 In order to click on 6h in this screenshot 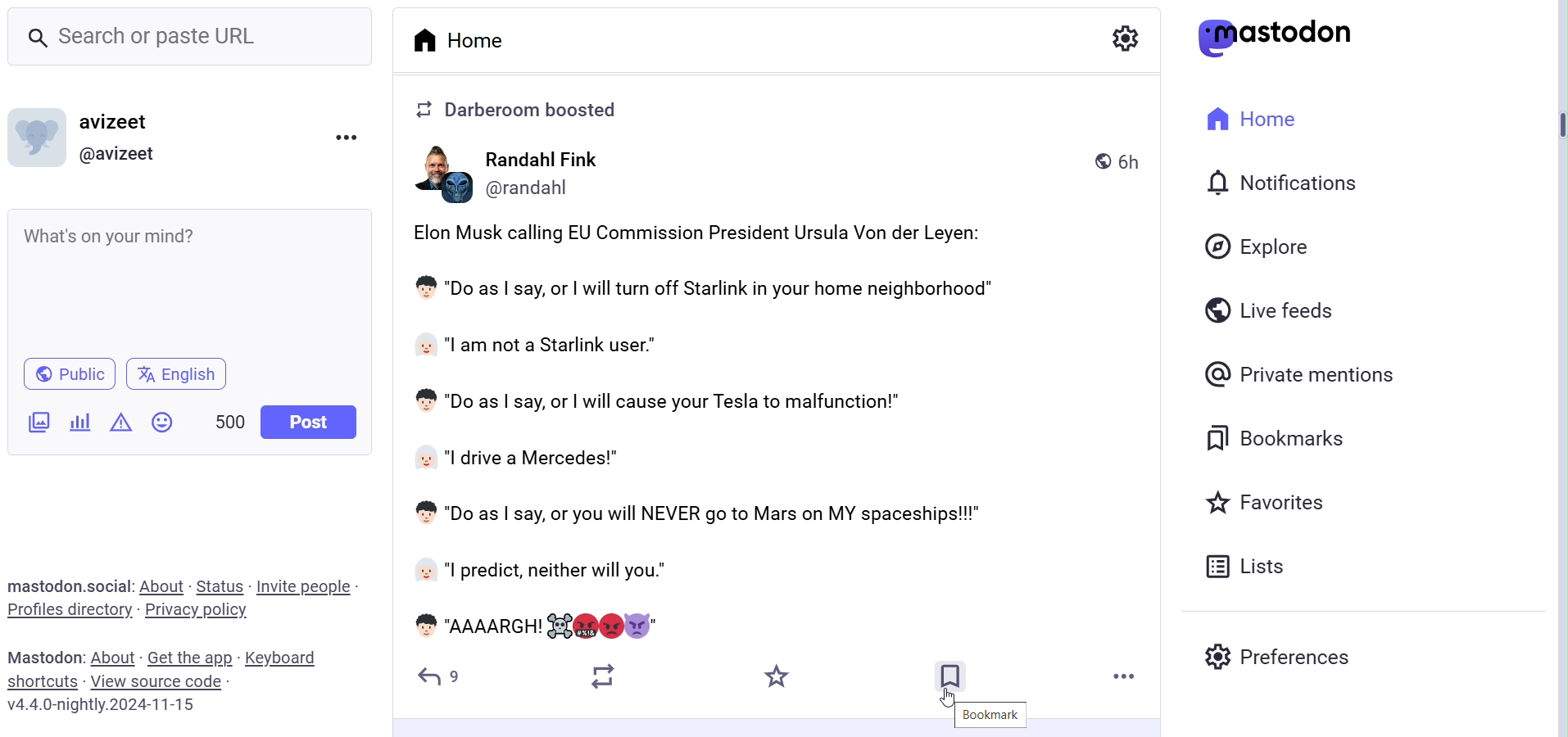, I will do `click(1117, 162)`.